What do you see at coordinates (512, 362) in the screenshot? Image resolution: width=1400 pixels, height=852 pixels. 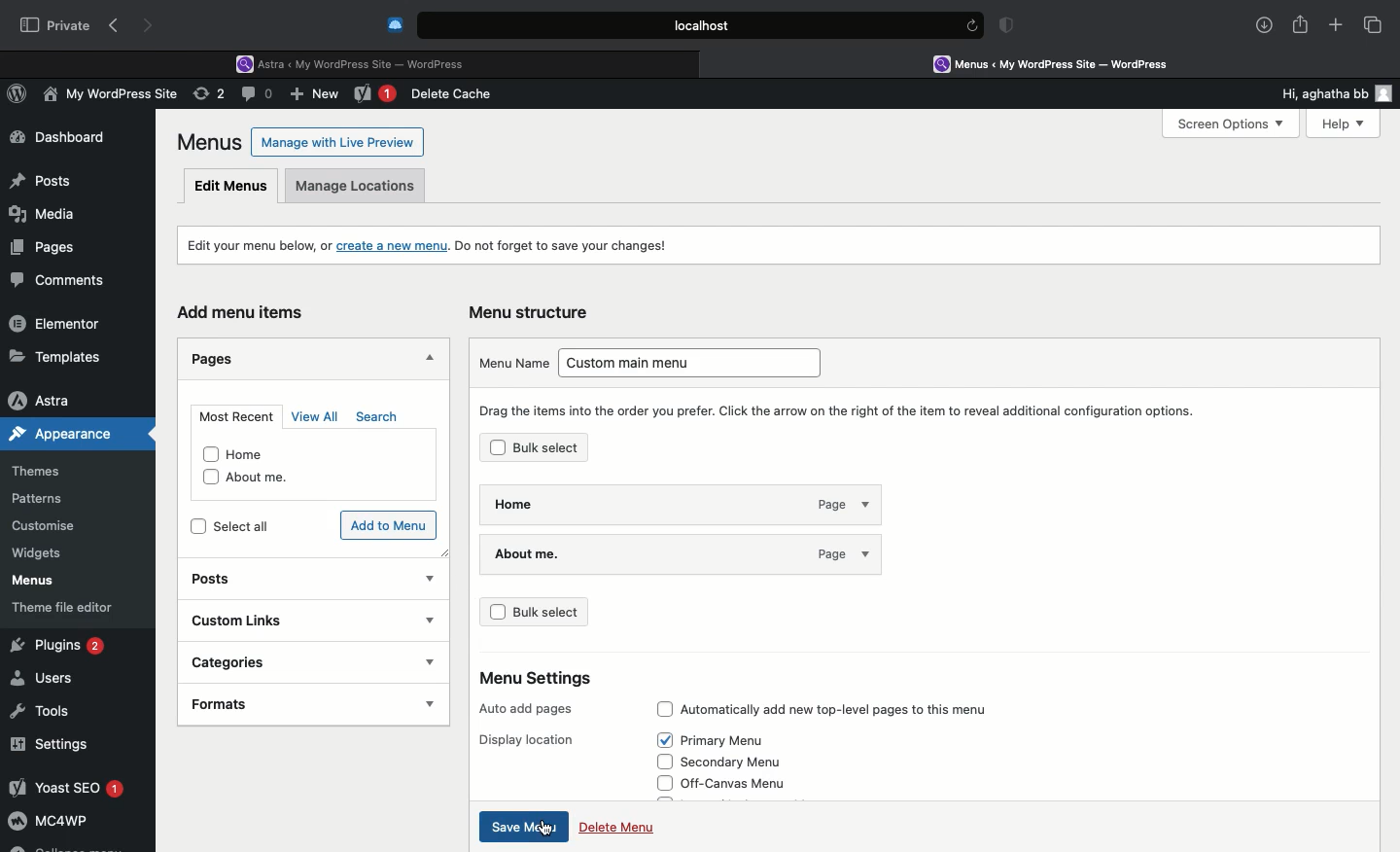 I see `Menu name` at bounding box center [512, 362].